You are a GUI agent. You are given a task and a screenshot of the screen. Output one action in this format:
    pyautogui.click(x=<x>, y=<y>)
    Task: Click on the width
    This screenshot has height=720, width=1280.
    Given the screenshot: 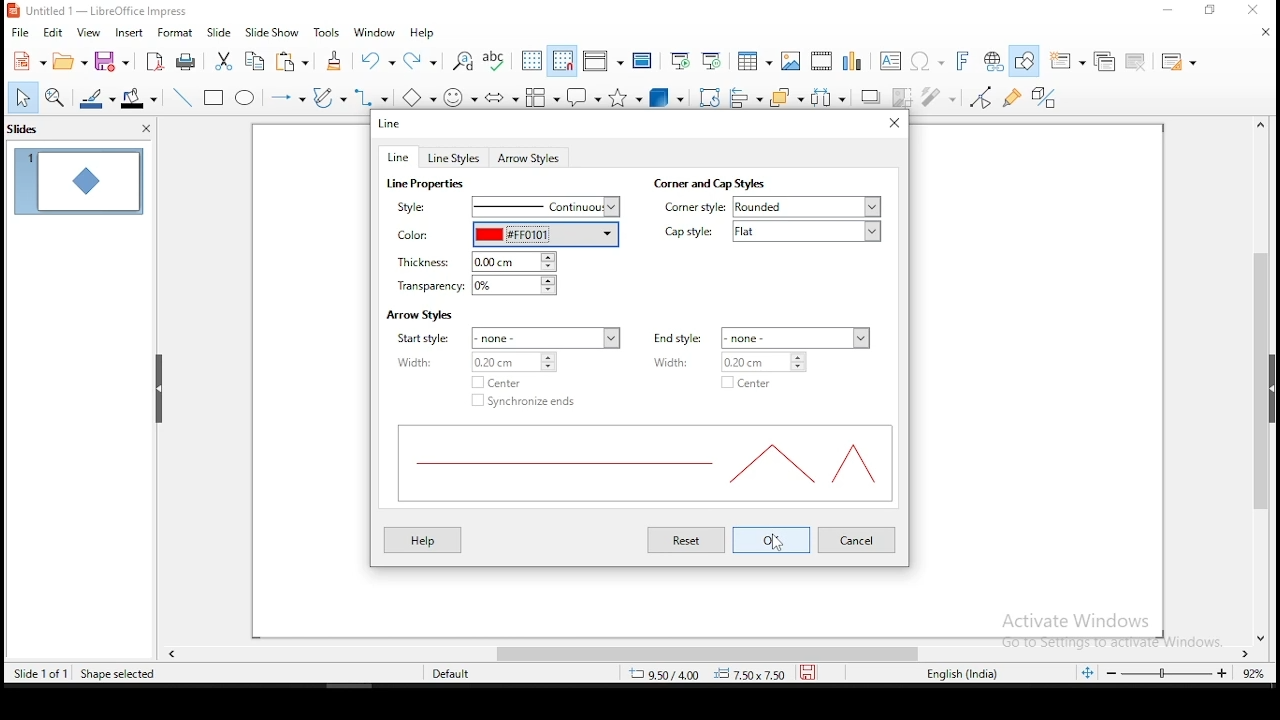 What is the action you would take?
    pyautogui.click(x=683, y=362)
    